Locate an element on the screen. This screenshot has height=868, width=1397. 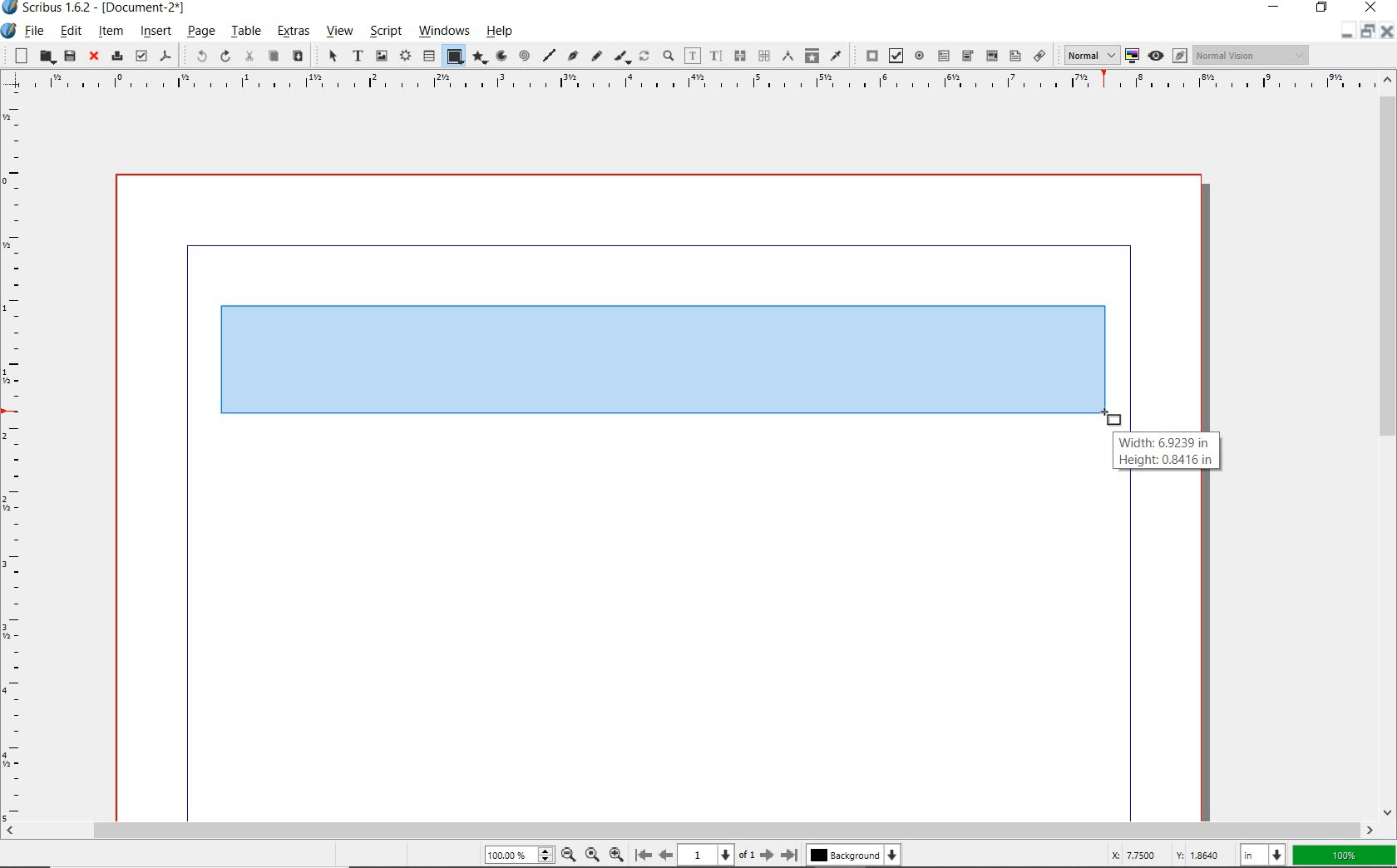
extras is located at coordinates (294, 32).